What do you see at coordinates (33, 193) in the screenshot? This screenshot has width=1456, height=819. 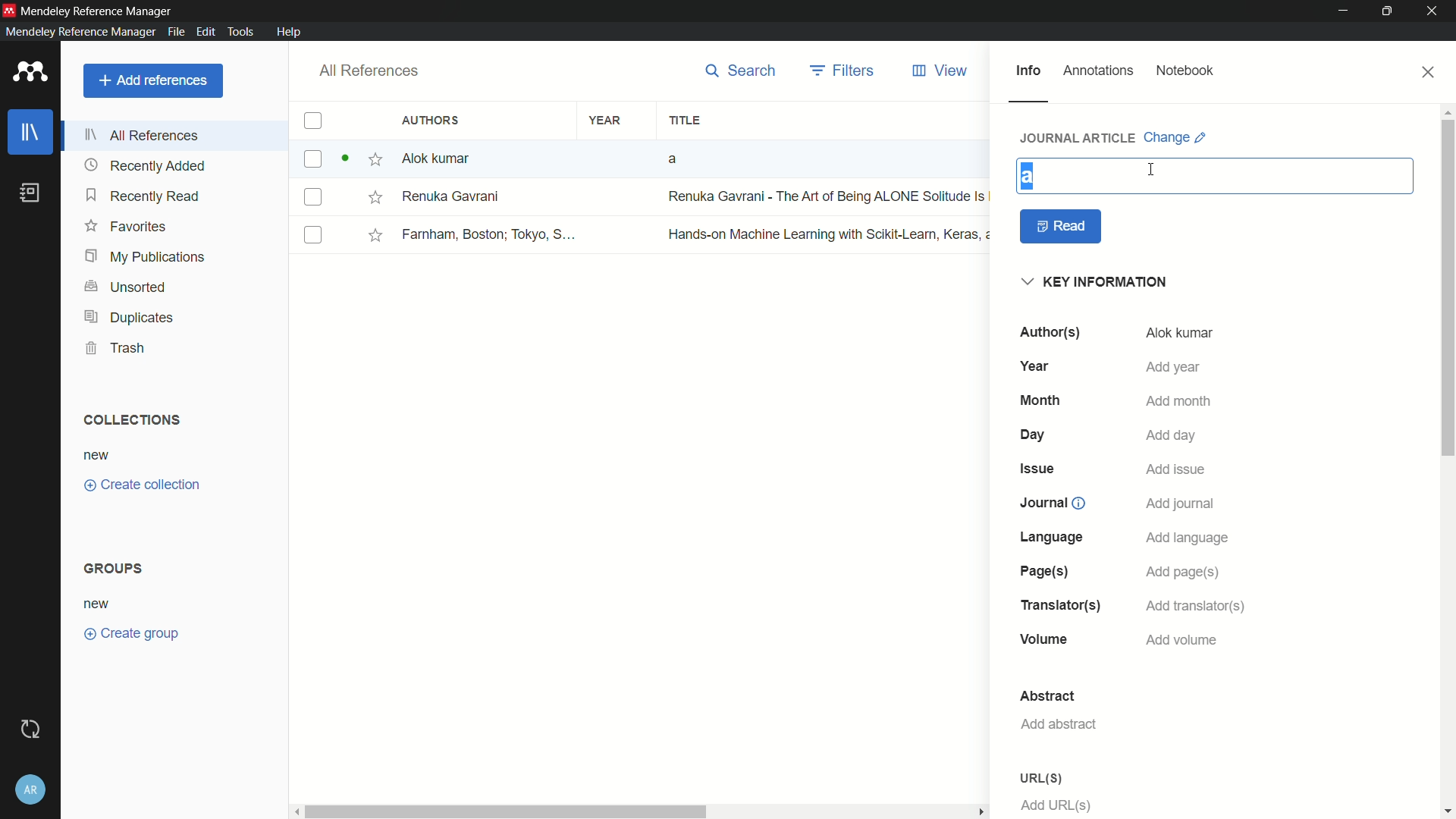 I see `book` at bounding box center [33, 193].